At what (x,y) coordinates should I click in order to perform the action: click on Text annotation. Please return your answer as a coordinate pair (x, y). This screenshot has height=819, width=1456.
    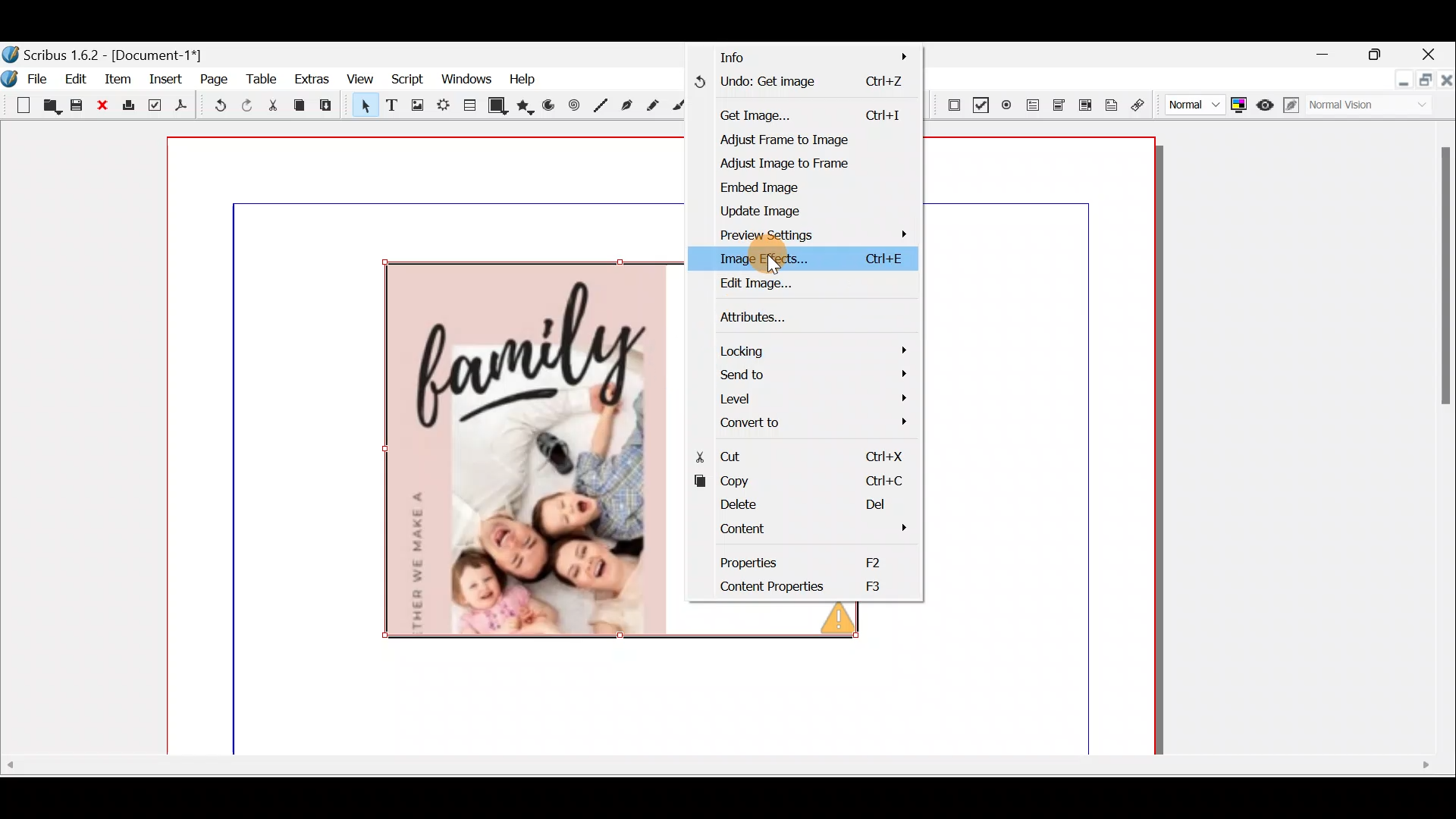
    Looking at the image, I should click on (1111, 103).